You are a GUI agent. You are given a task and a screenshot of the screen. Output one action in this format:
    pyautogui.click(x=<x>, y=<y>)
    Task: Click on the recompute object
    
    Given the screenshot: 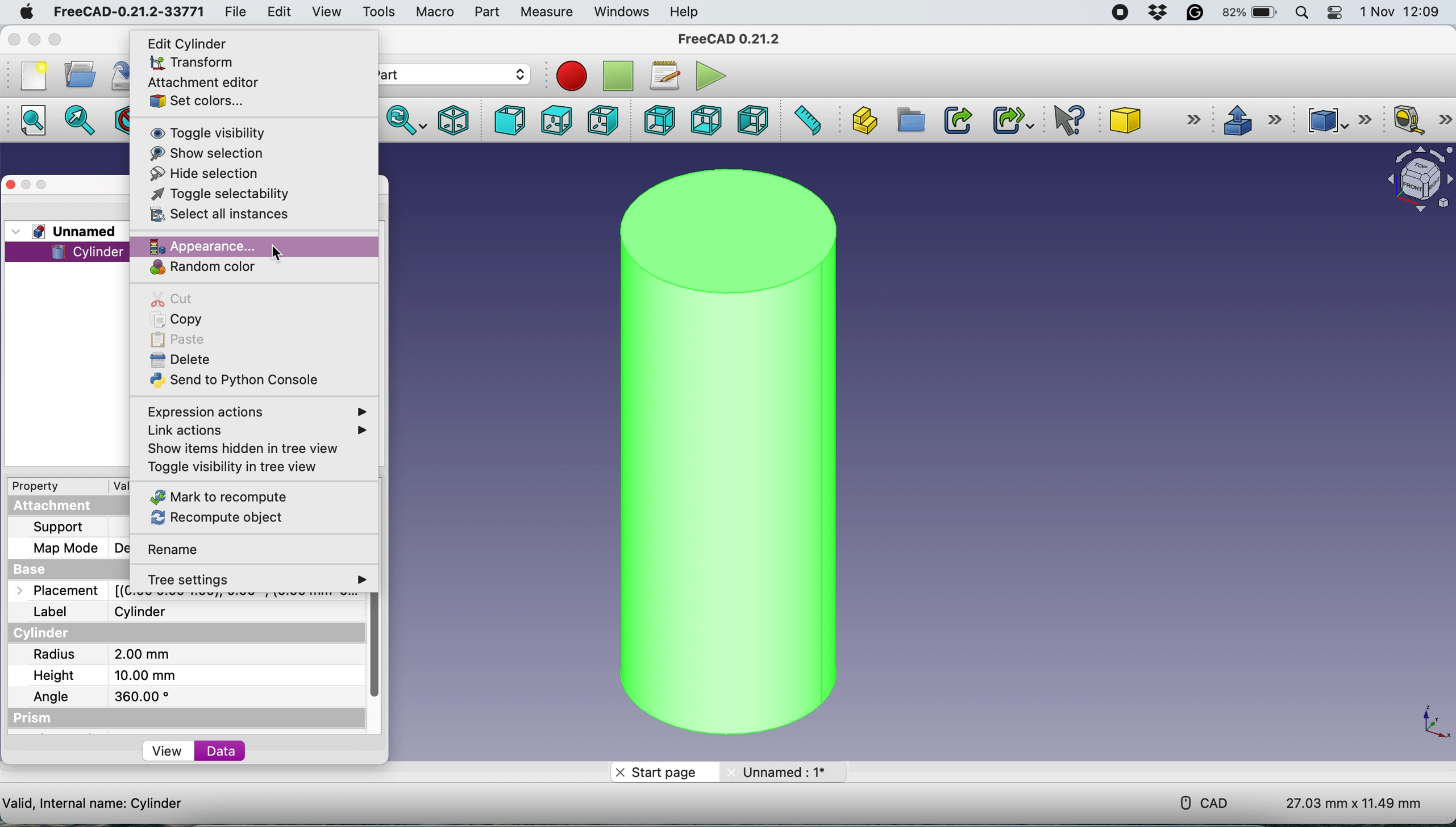 What is the action you would take?
    pyautogui.click(x=222, y=518)
    